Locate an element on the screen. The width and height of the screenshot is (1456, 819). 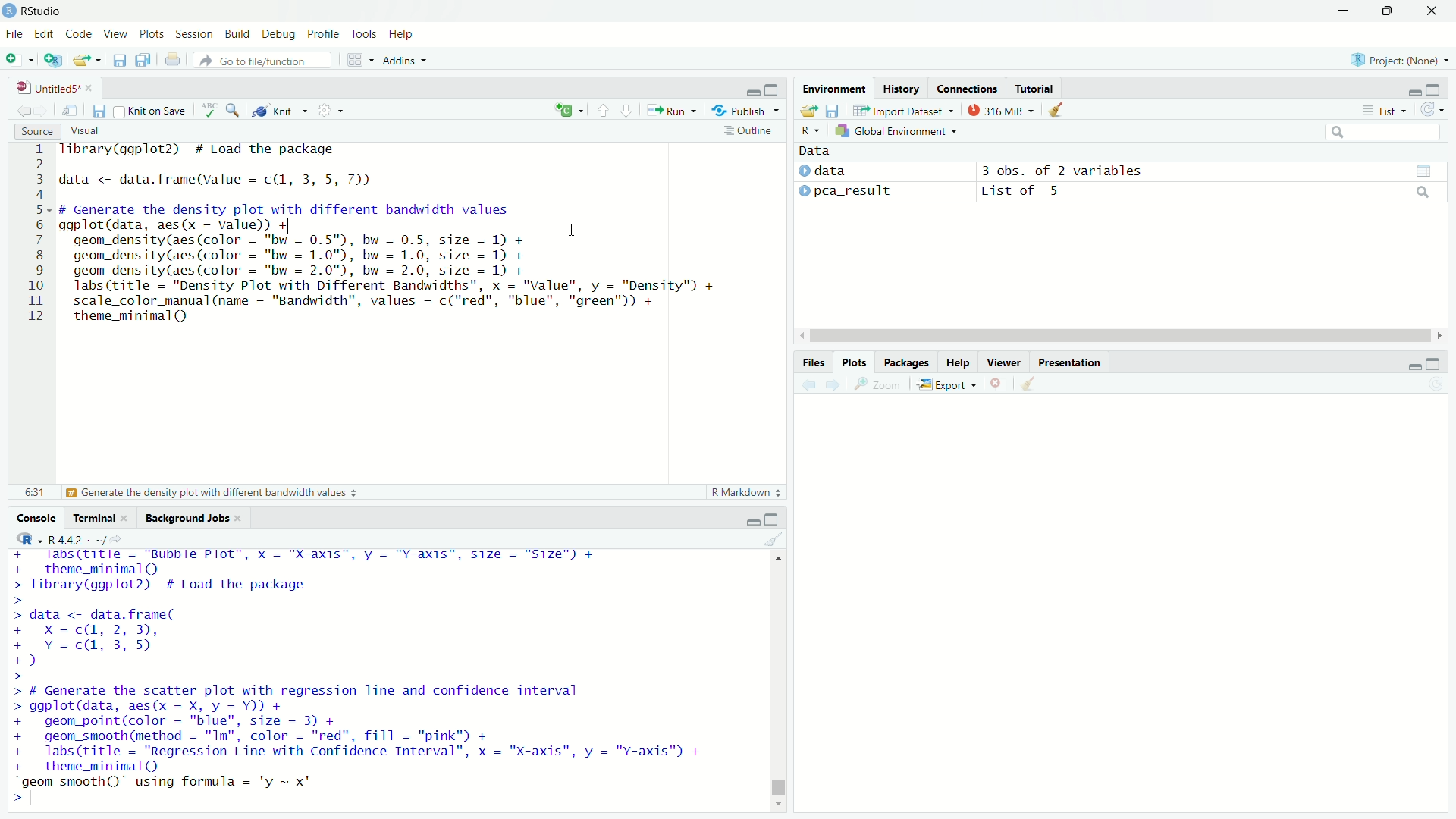
Help is located at coordinates (402, 34).